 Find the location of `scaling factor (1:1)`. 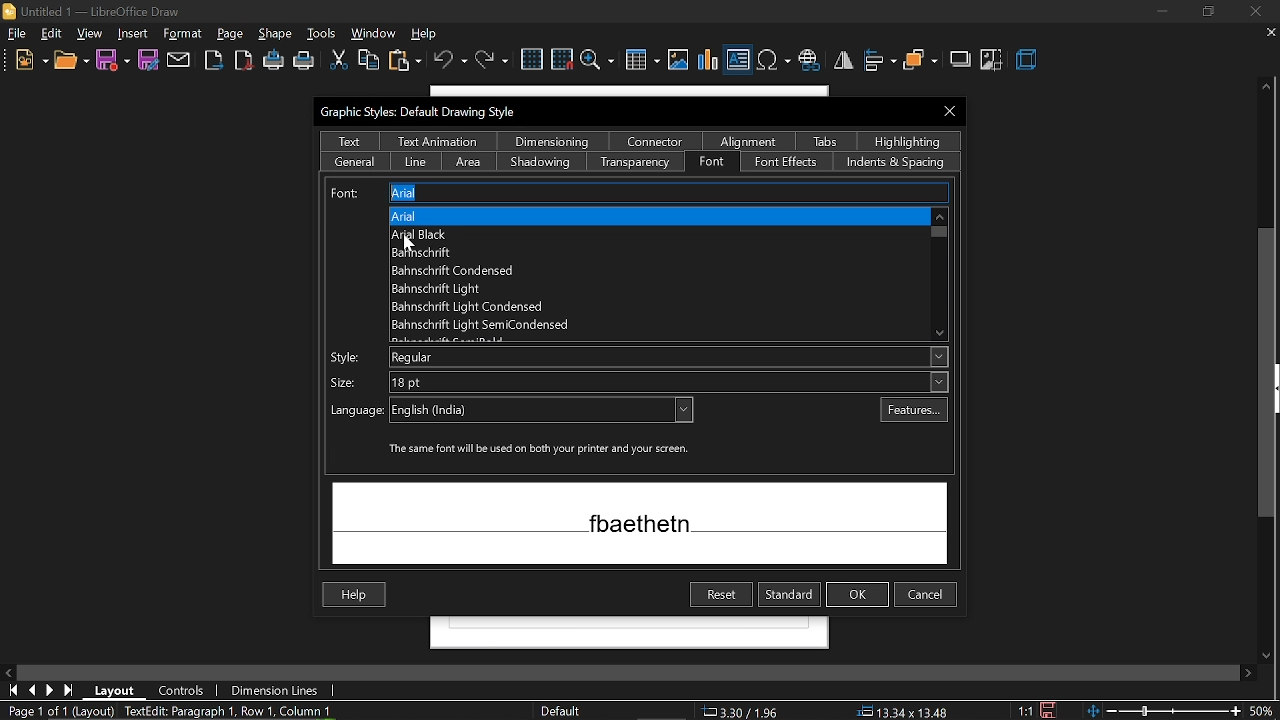

scaling factor (1:1) is located at coordinates (1025, 709).